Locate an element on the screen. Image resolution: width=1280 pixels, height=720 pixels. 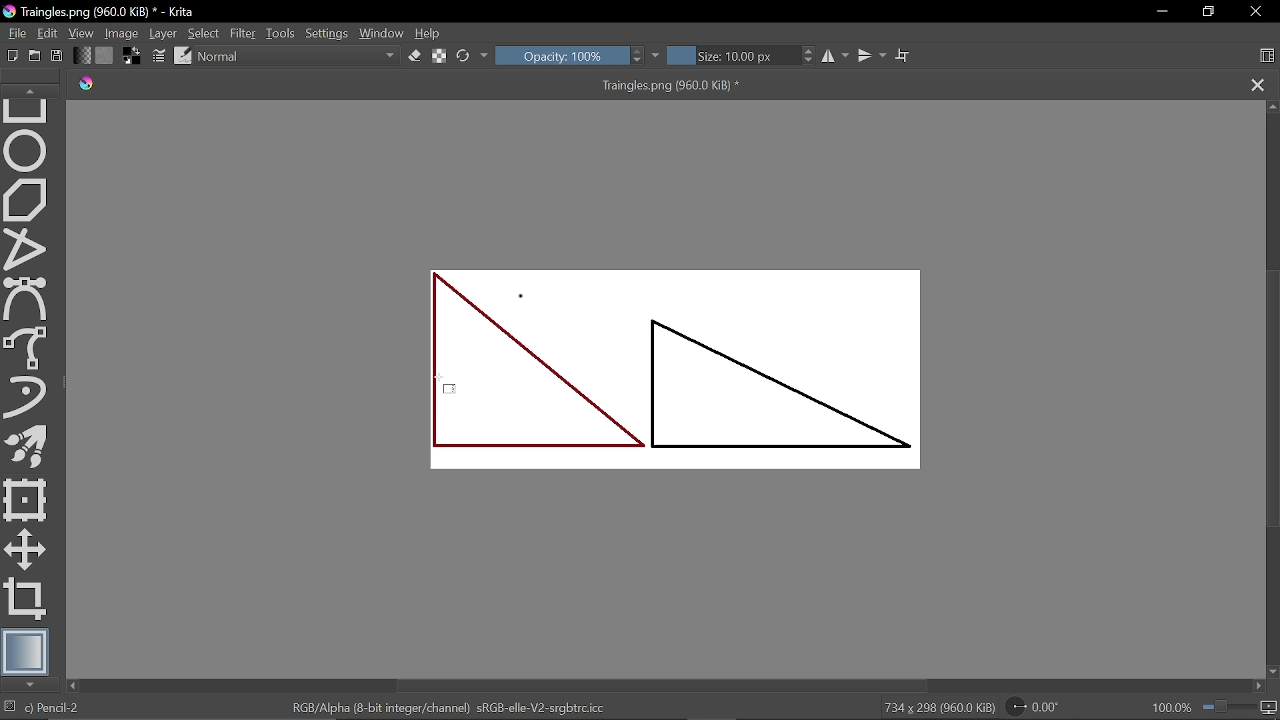
100.0% is located at coordinates (1215, 707).